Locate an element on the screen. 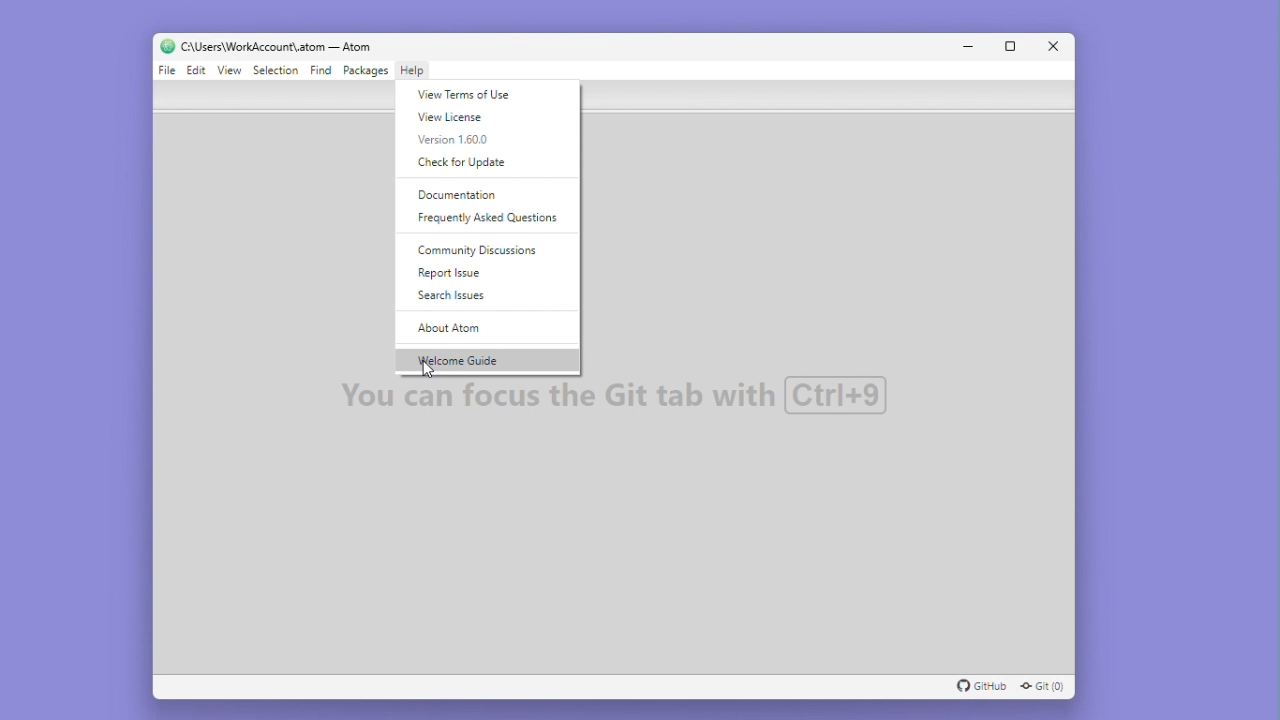  You terms of use is located at coordinates (466, 94).